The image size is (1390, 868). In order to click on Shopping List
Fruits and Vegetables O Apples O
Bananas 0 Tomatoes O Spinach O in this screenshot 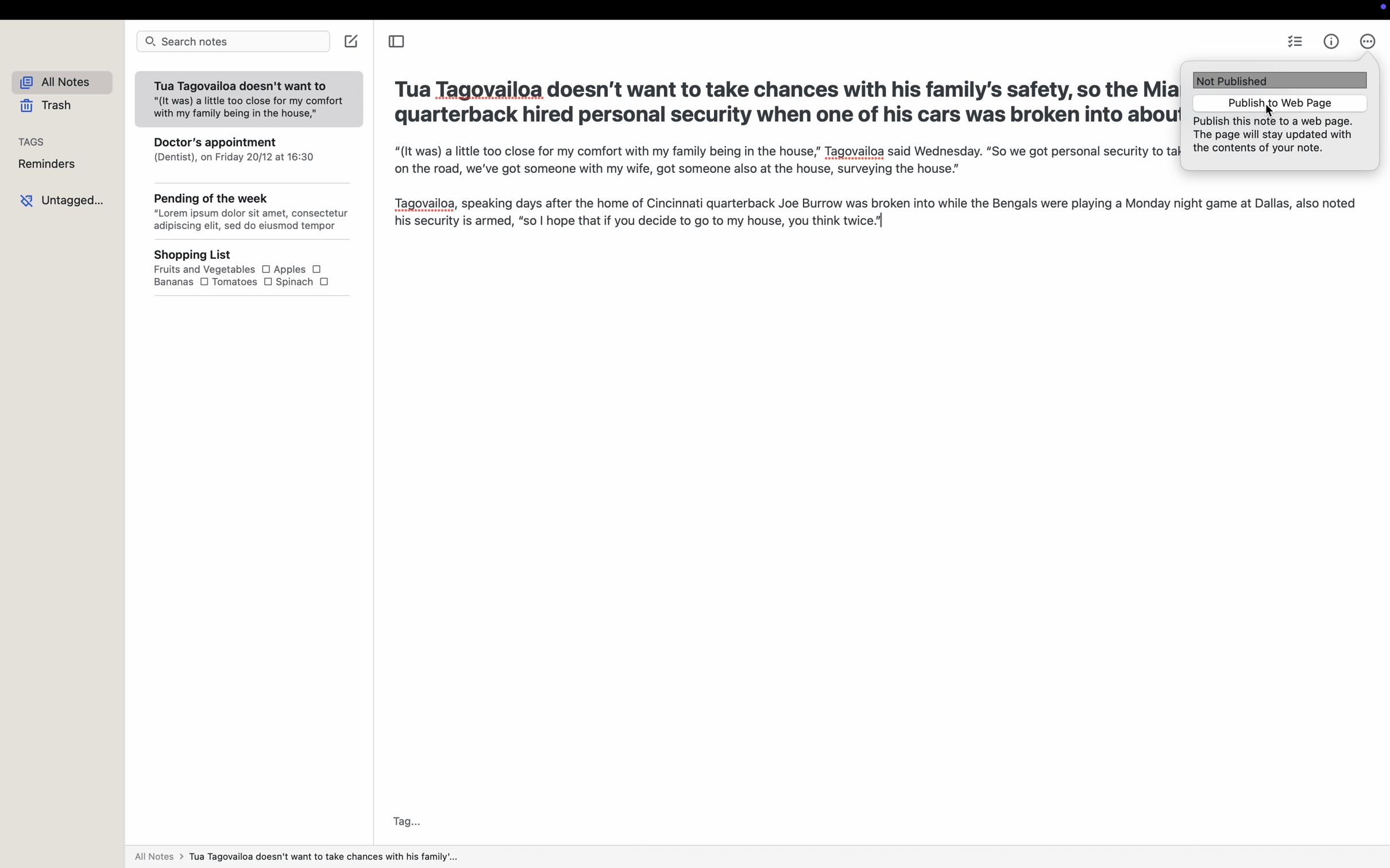, I will do `click(259, 269)`.